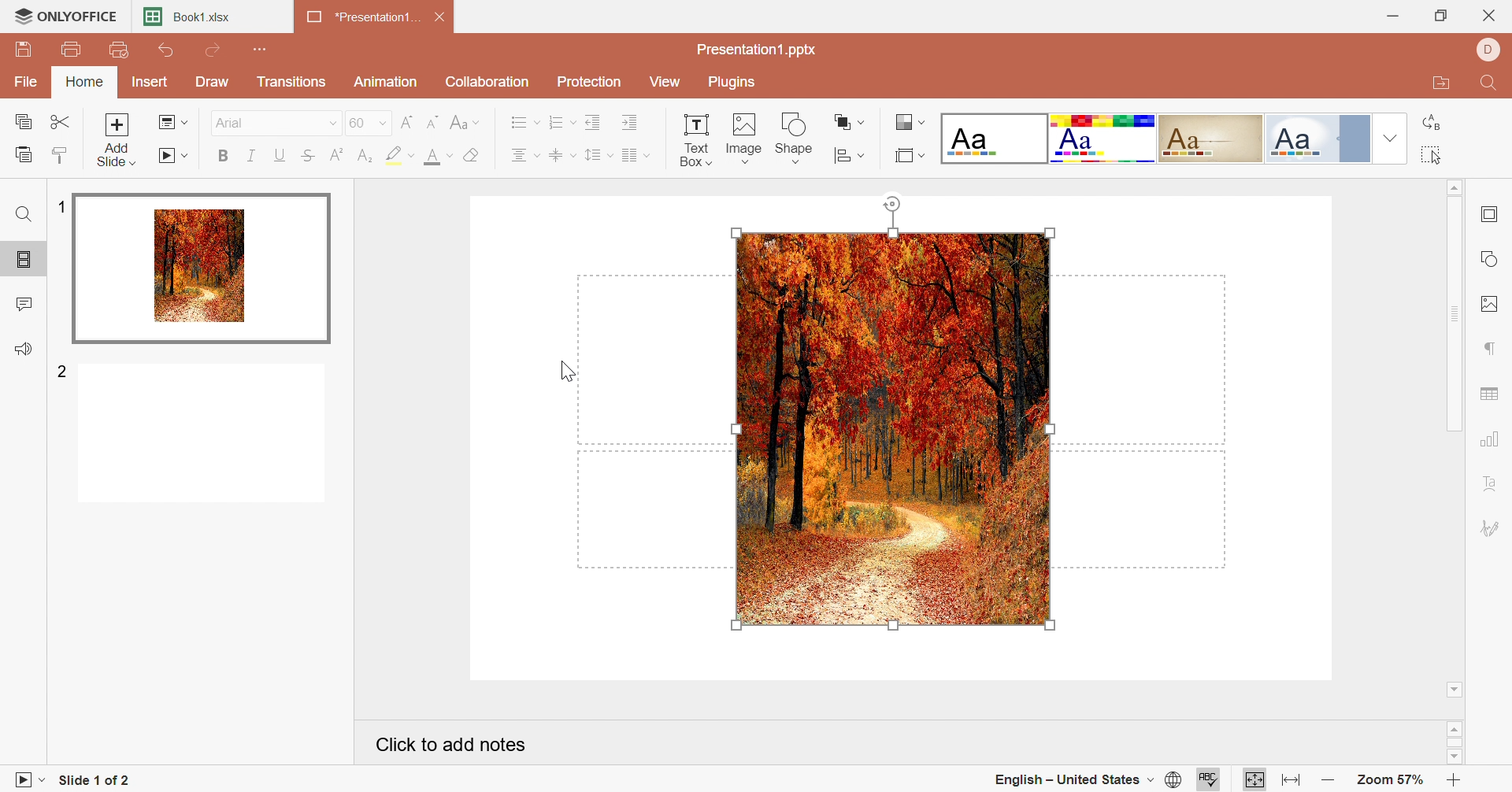  I want to click on 60, so click(368, 121).